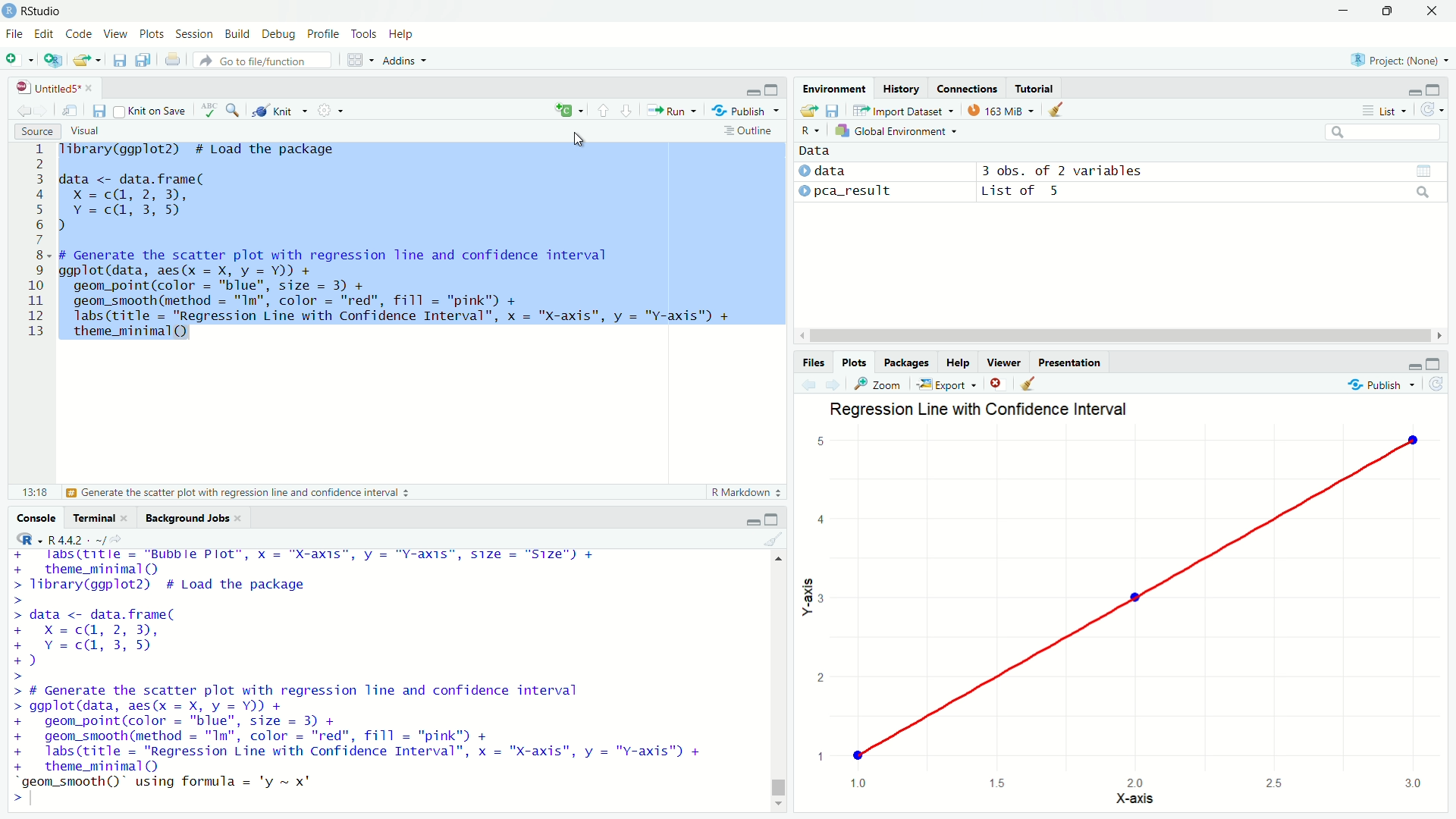 Image resolution: width=1456 pixels, height=819 pixels. Describe the element at coordinates (745, 492) in the screenshot. I see `R Markdown` at that location.